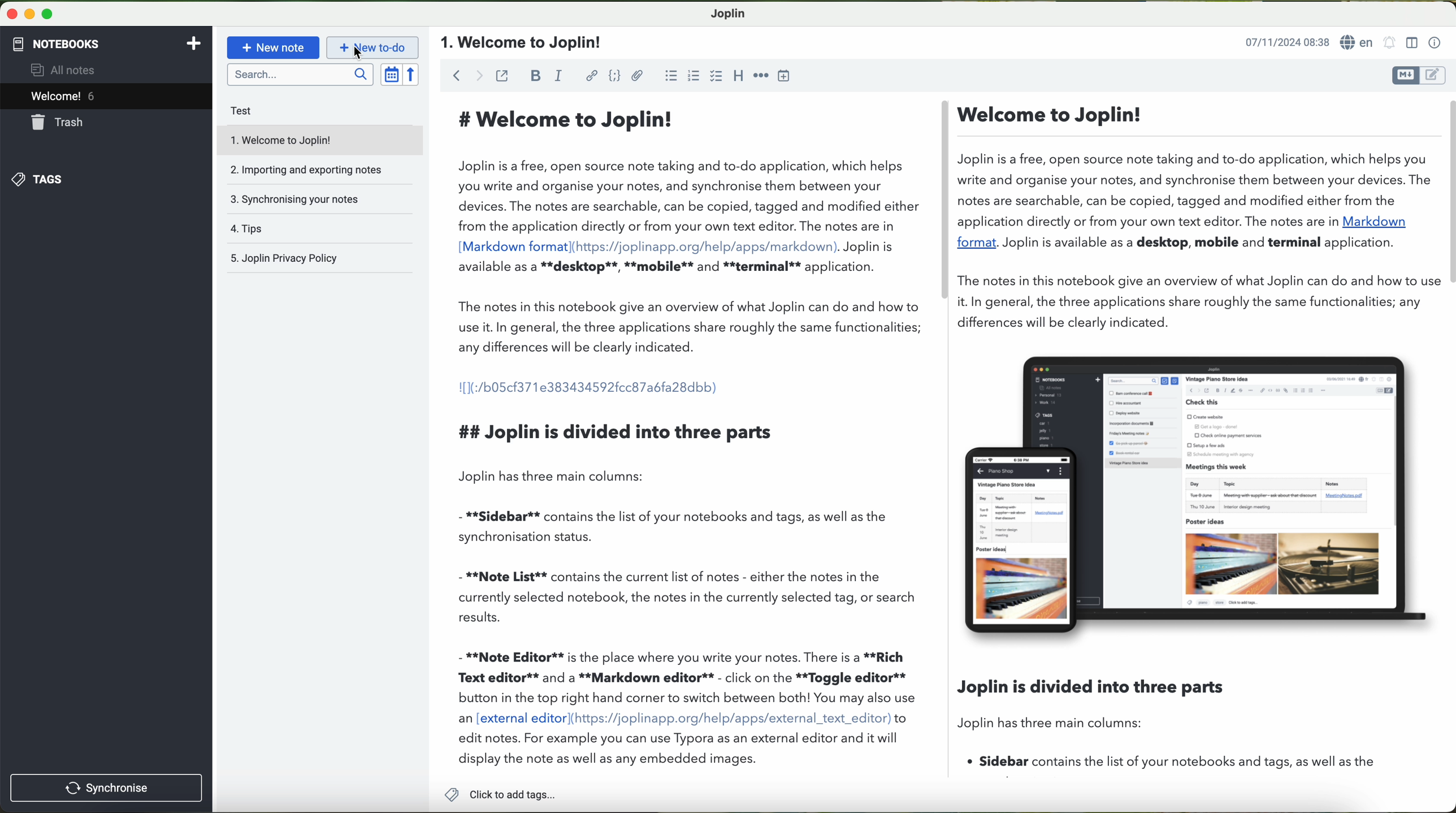  What do you see at coordinates (75, 71) in the screenshot?
I see `all notes` at bounding box center [75, 71].